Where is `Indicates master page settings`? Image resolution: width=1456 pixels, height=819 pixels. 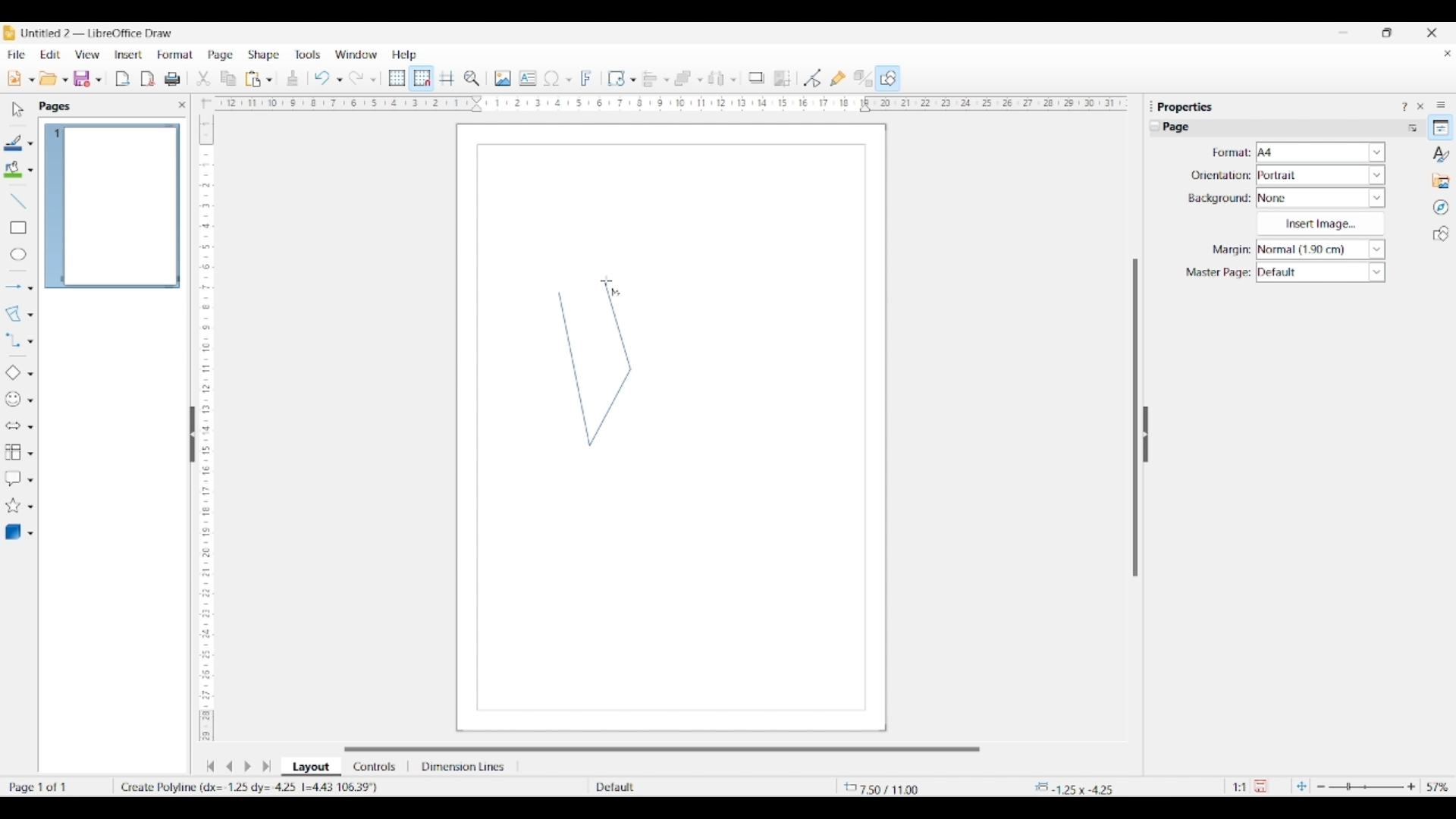
Indicates master page settings is located at coordinates (1217, 273).